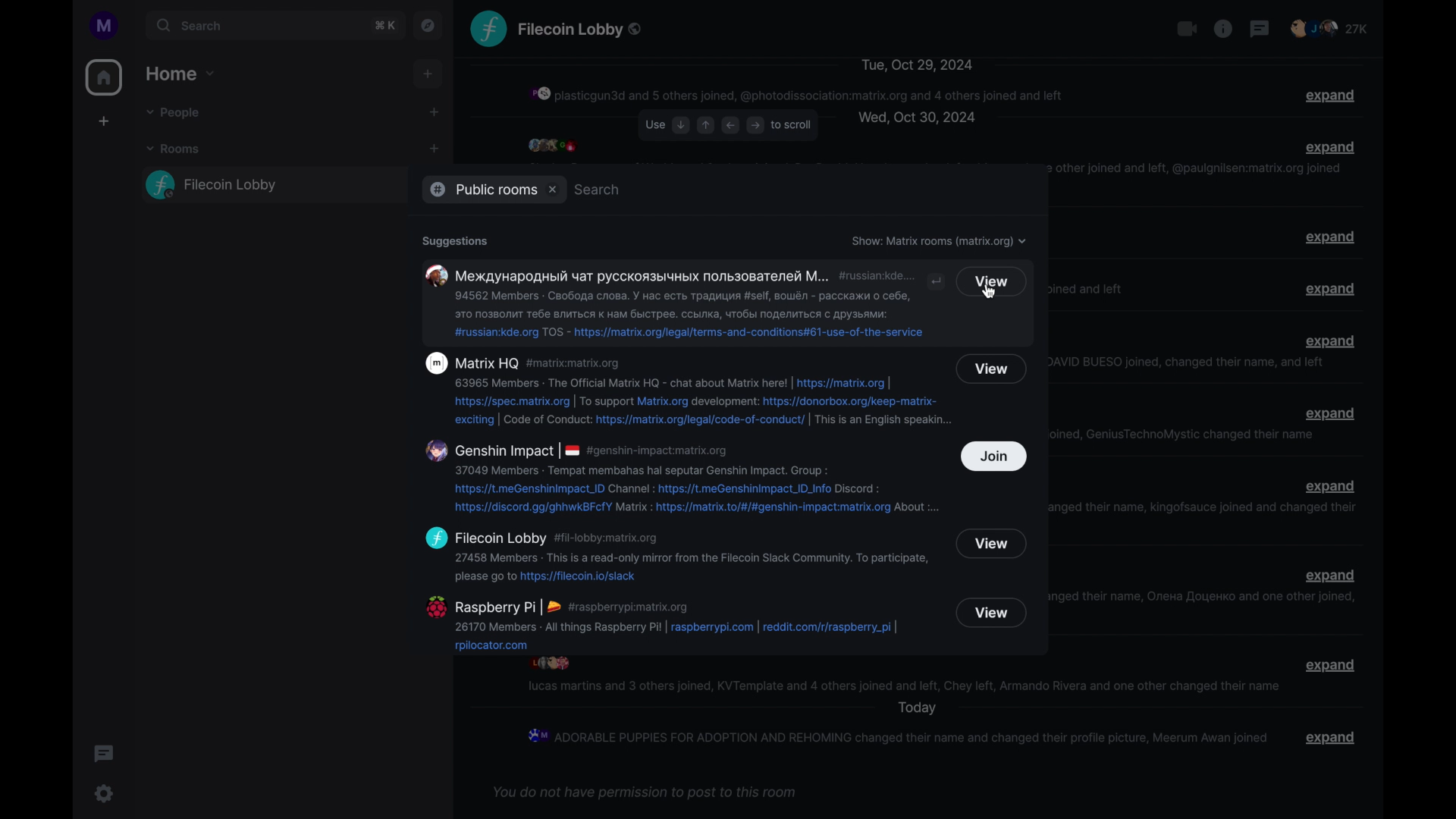 The image size is (1456, 819). Describe the element at coordinates (1187, 28) in the screenshot. I see `video calls` at that location.